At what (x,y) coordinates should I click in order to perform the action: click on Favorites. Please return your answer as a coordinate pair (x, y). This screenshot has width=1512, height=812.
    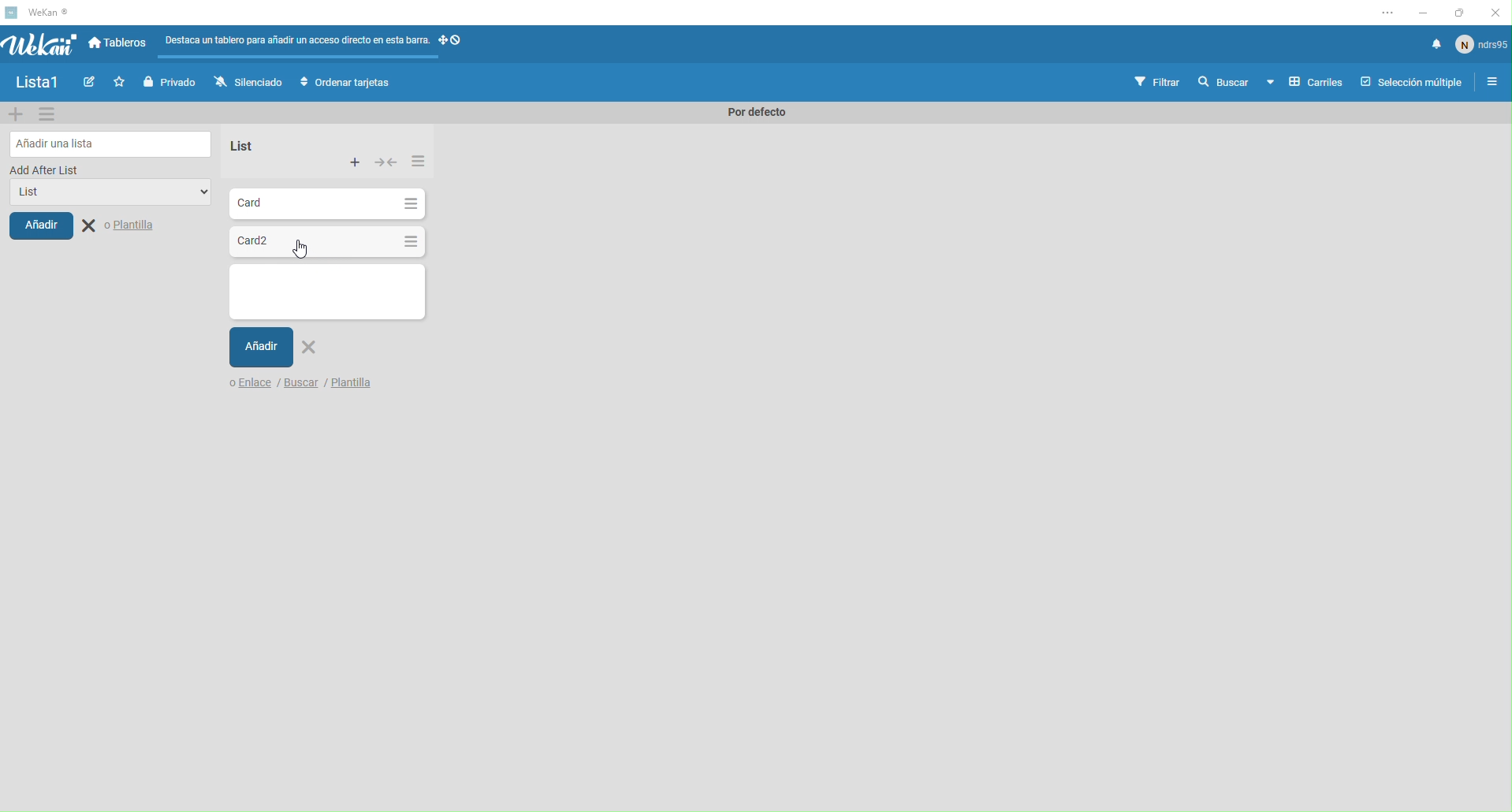
    Looking at the image, I should click on (117, 81).